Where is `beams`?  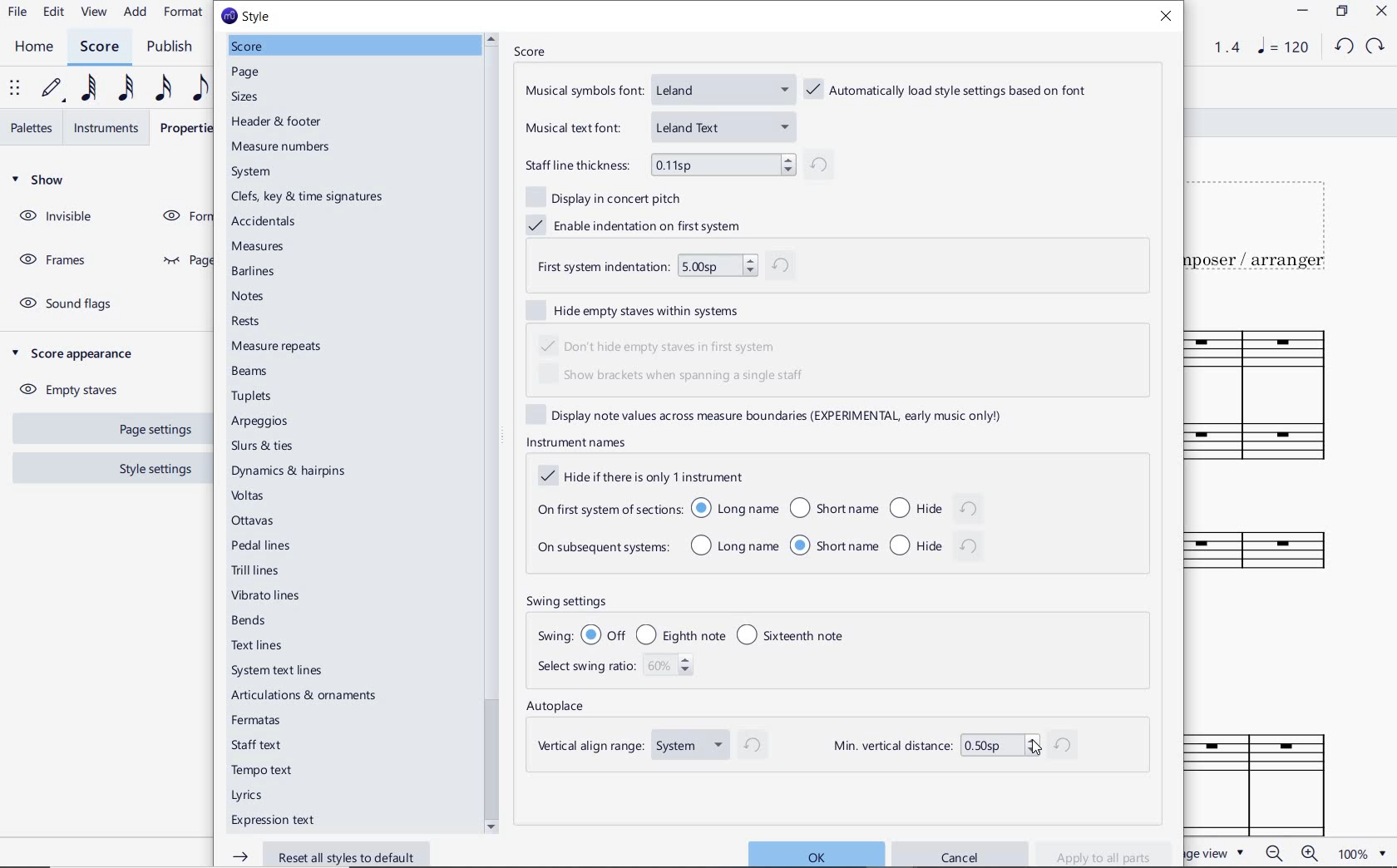 beams is located at coordinates (253, 373).